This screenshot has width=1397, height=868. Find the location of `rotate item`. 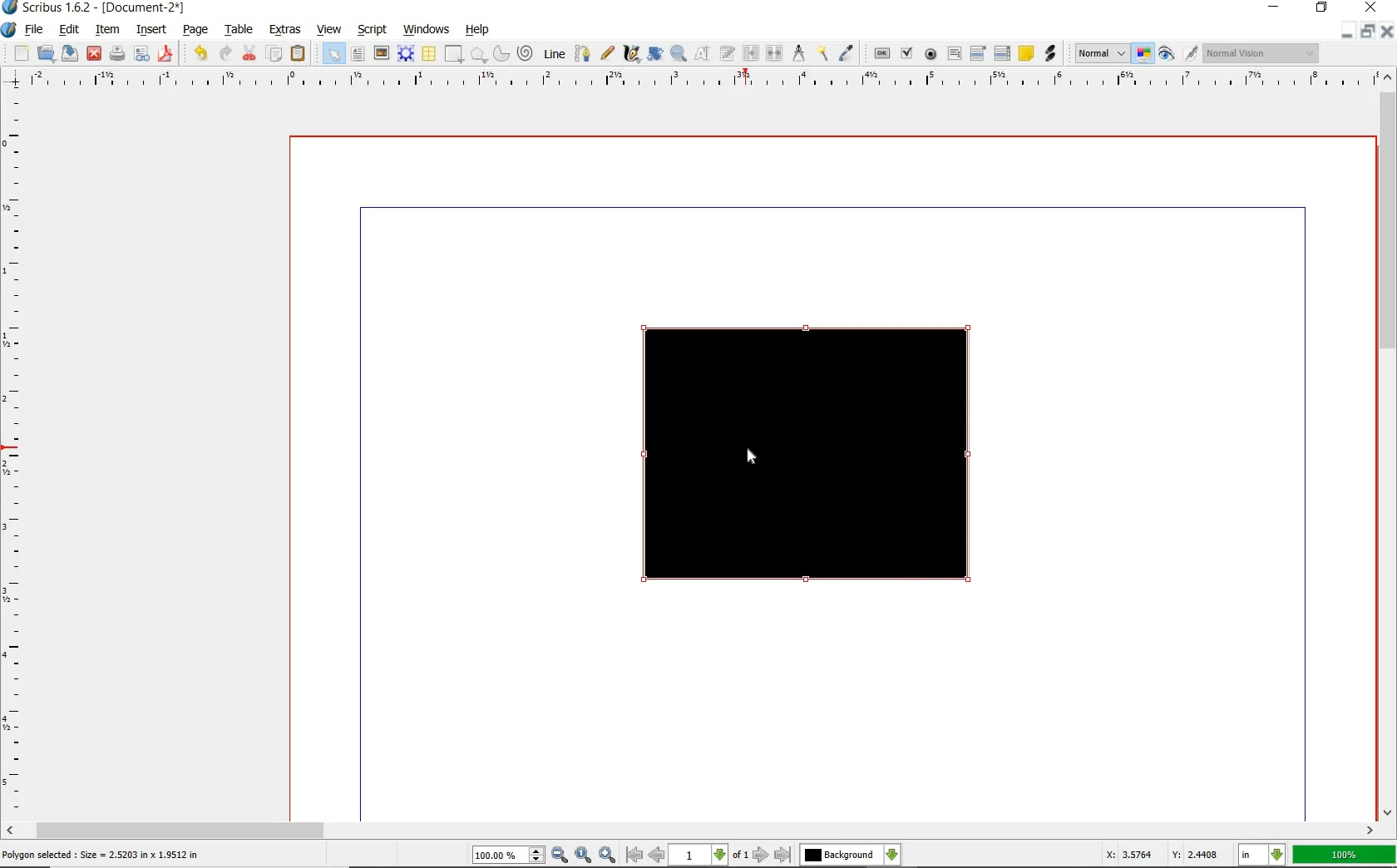

rotate item is located at coordinates (656, 53).